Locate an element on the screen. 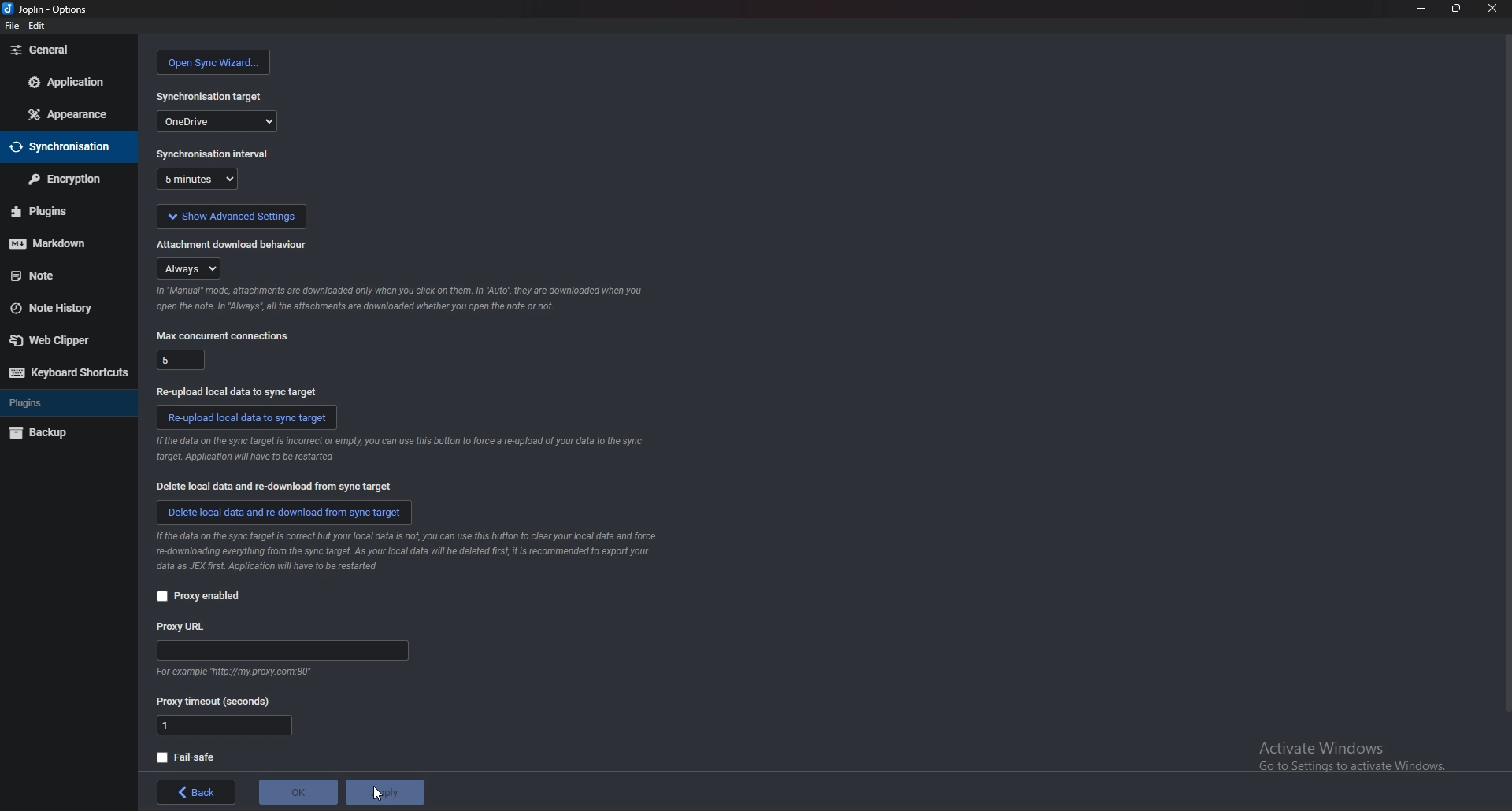  cursor is located at coordinates (381, 796).